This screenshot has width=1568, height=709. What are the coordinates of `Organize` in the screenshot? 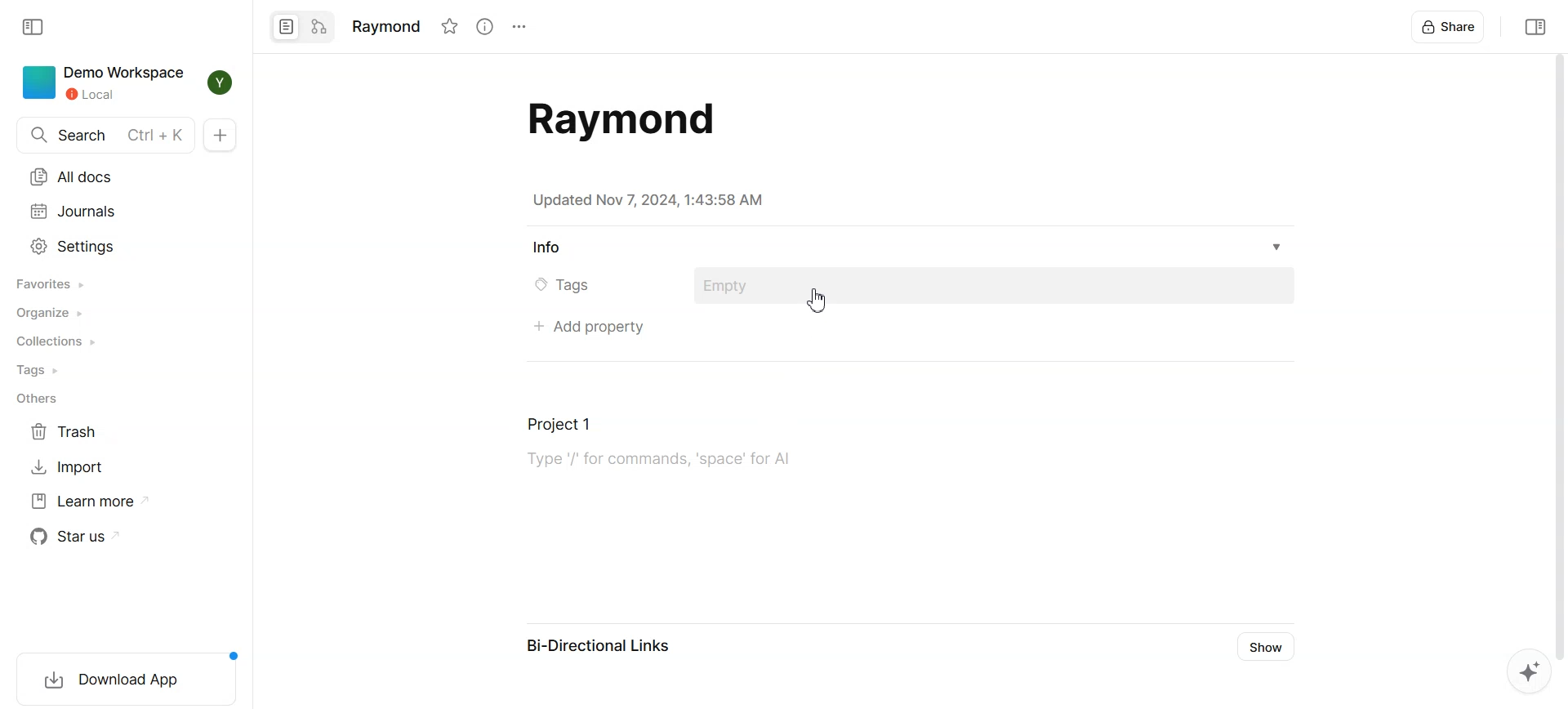 It's located at (53, 313).